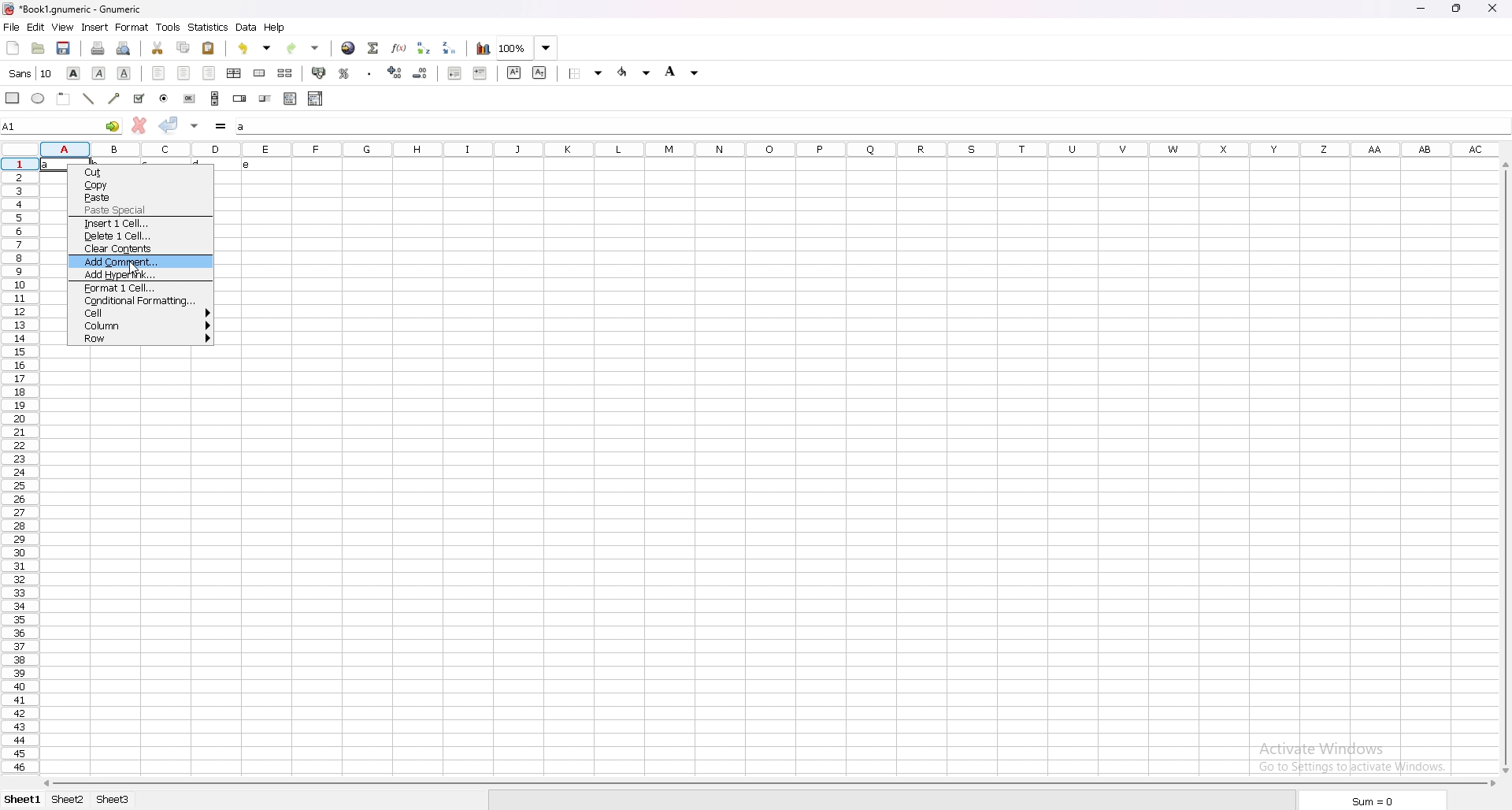  Describe the element at coordinates (208, 47) in the screenshot. I see `paste` at that location.